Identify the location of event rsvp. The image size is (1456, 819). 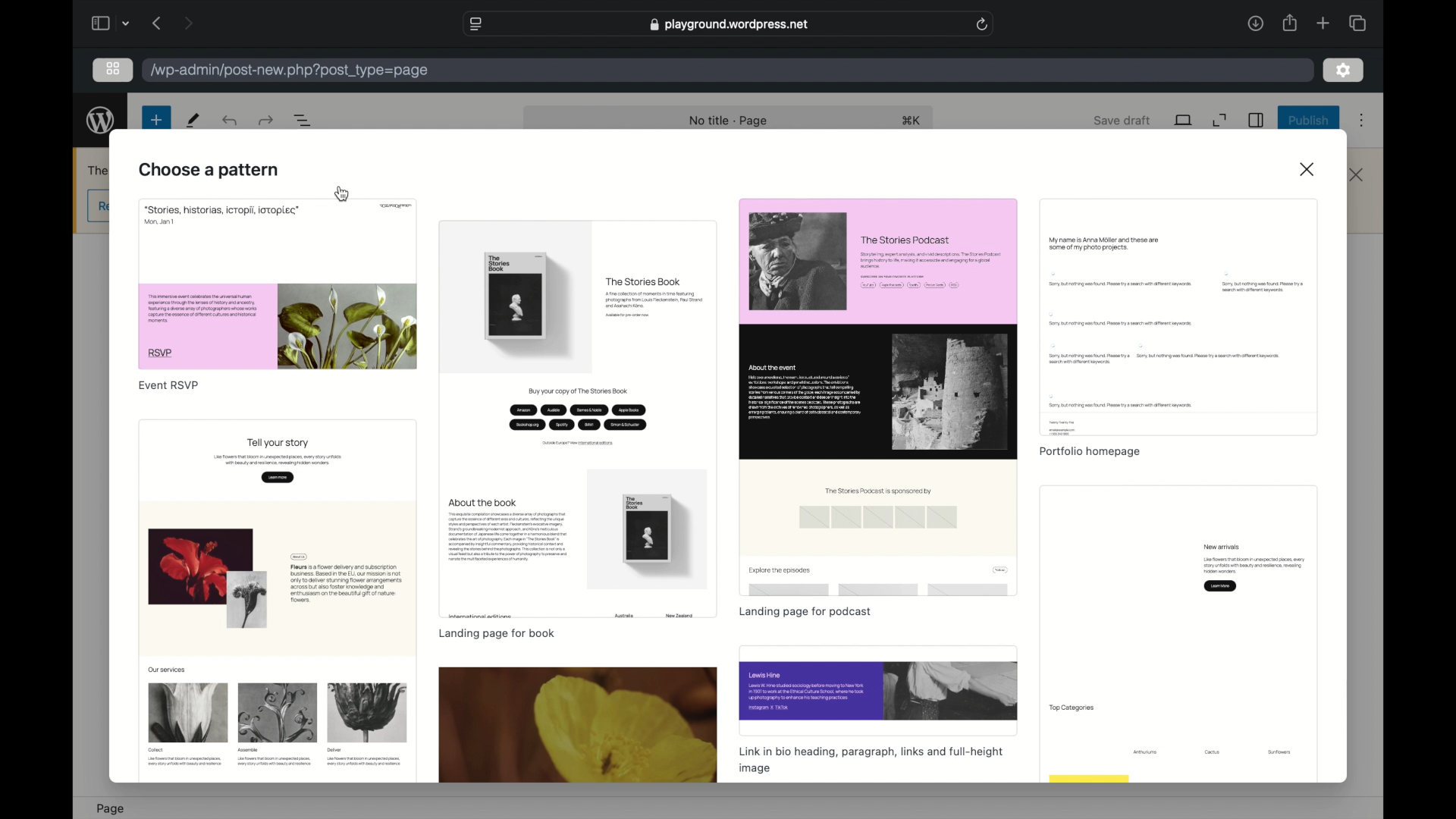
(169, 385).